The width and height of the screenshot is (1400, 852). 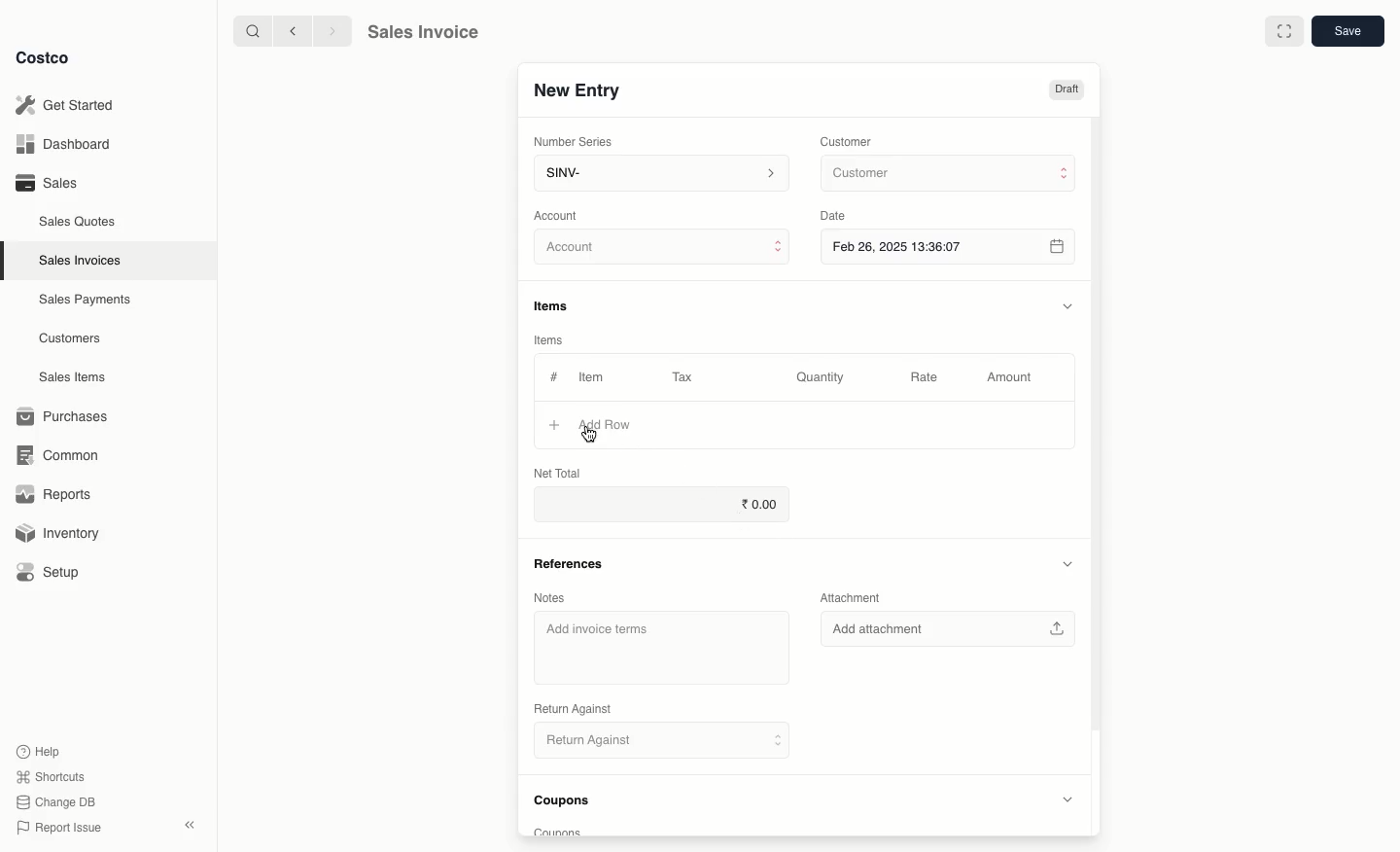 I want to click on Help, so click(x=40, y=750).